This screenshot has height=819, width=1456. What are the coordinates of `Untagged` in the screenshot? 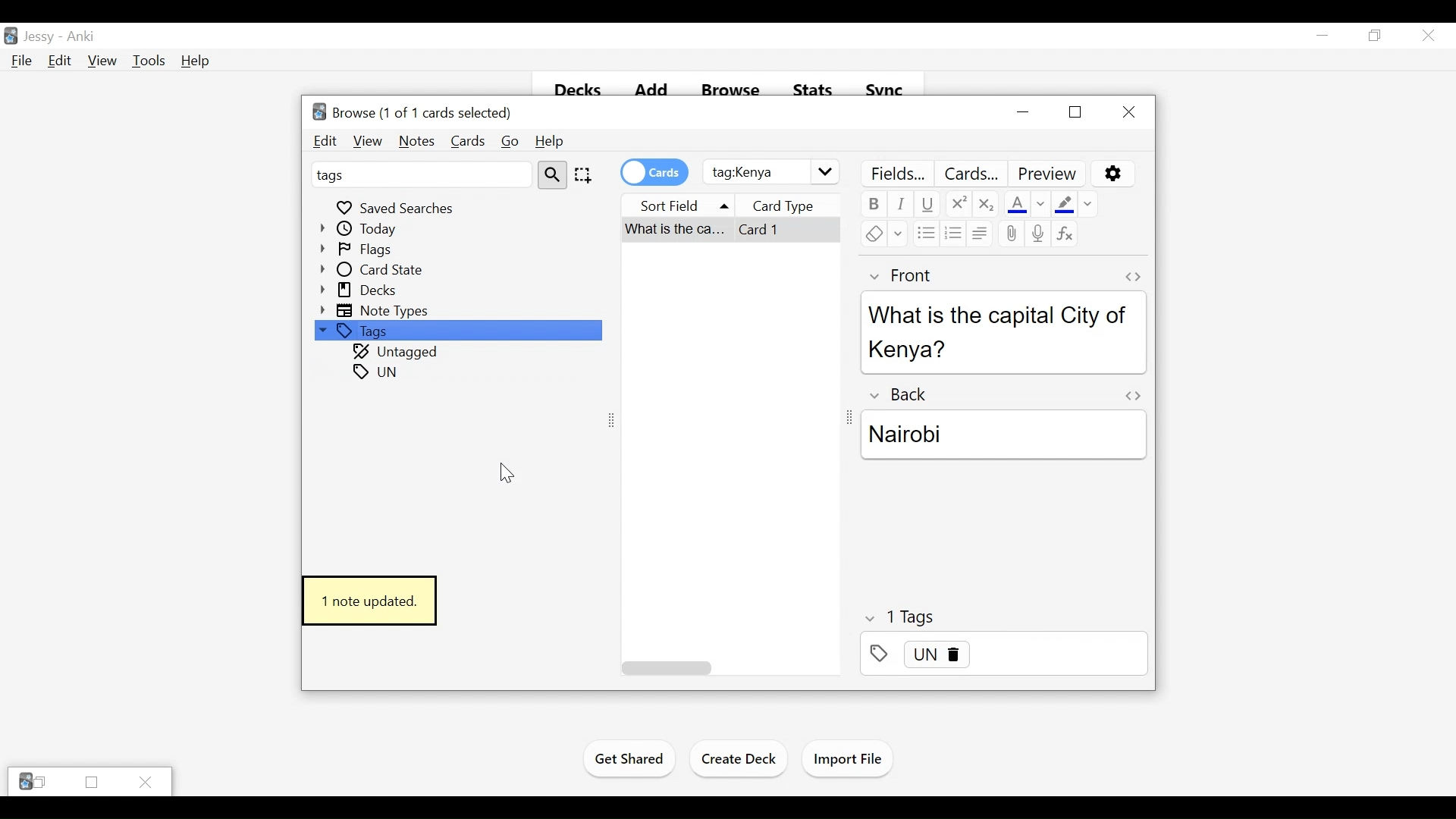 It's located at (397, 353).